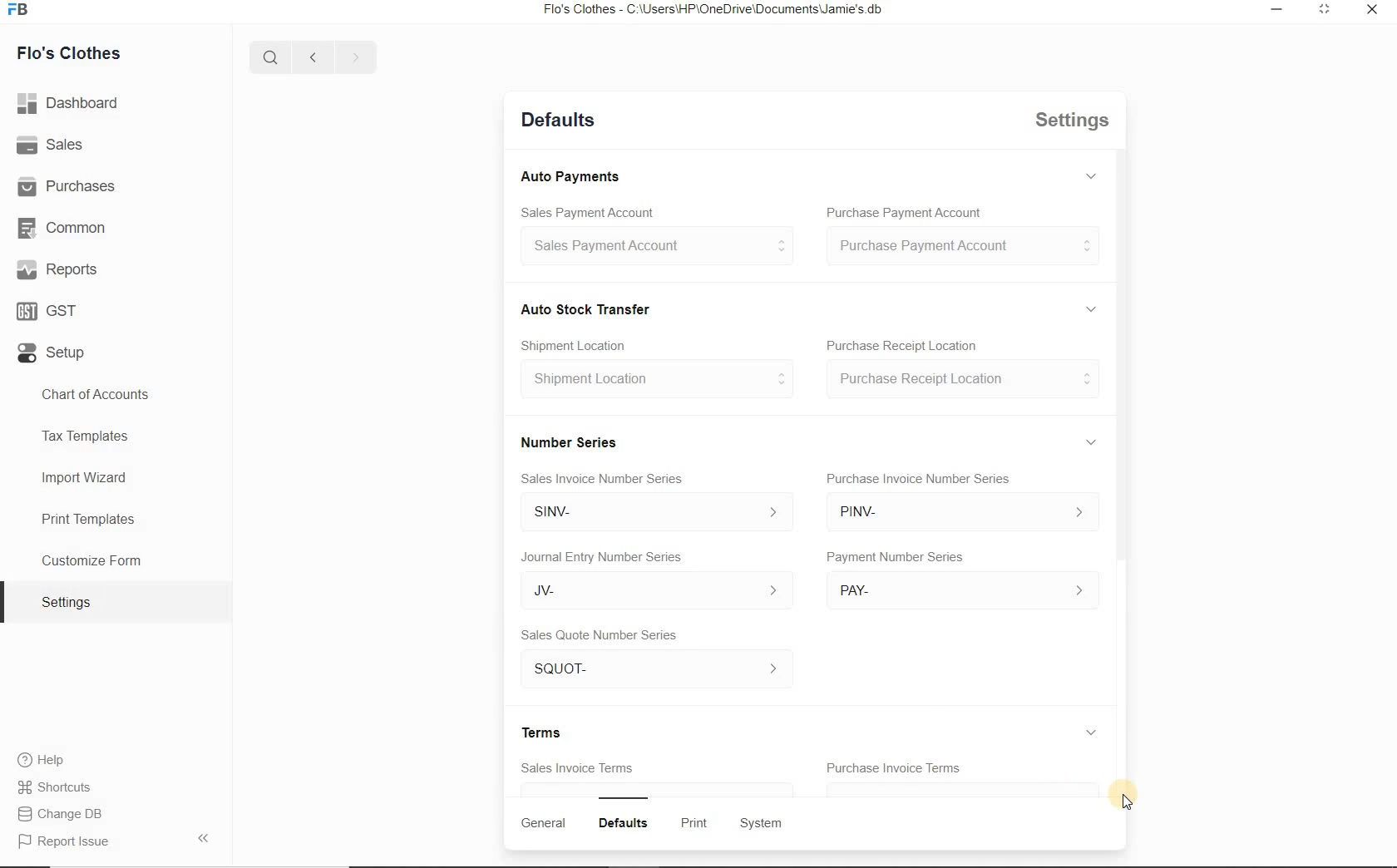  I want to click on Expand, so click(1322, 10).